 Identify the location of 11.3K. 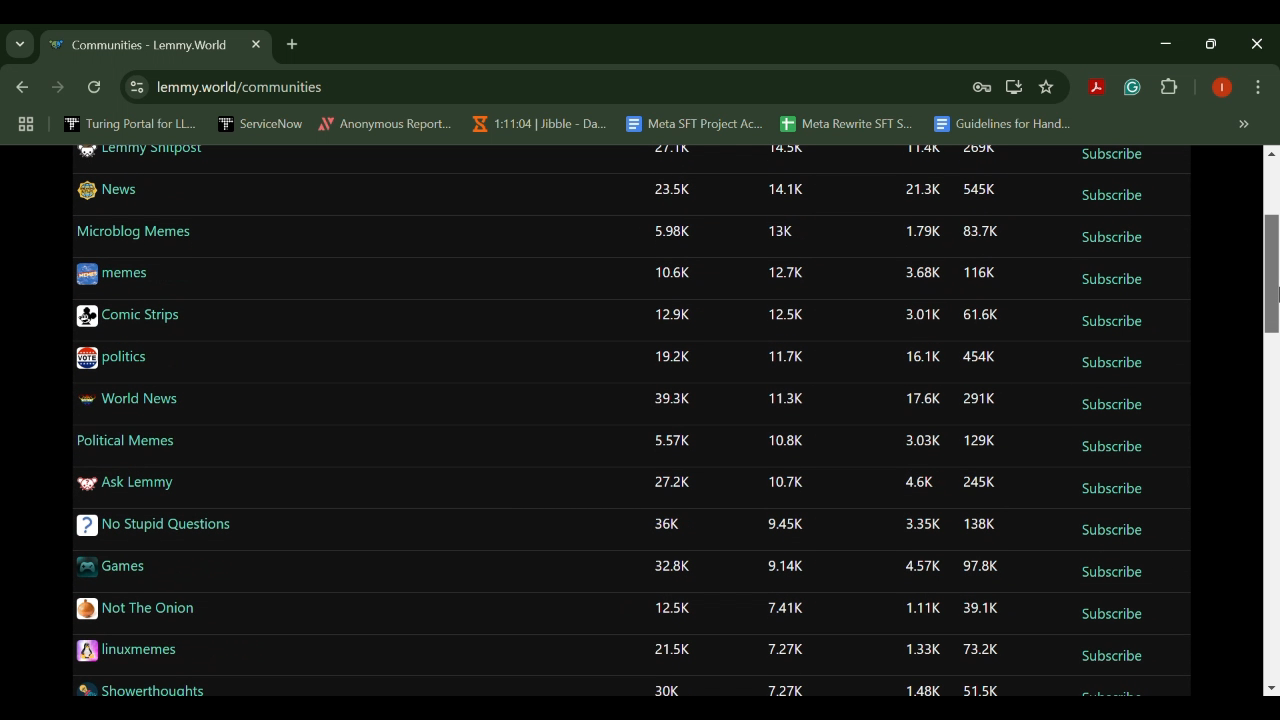
(786, 399).